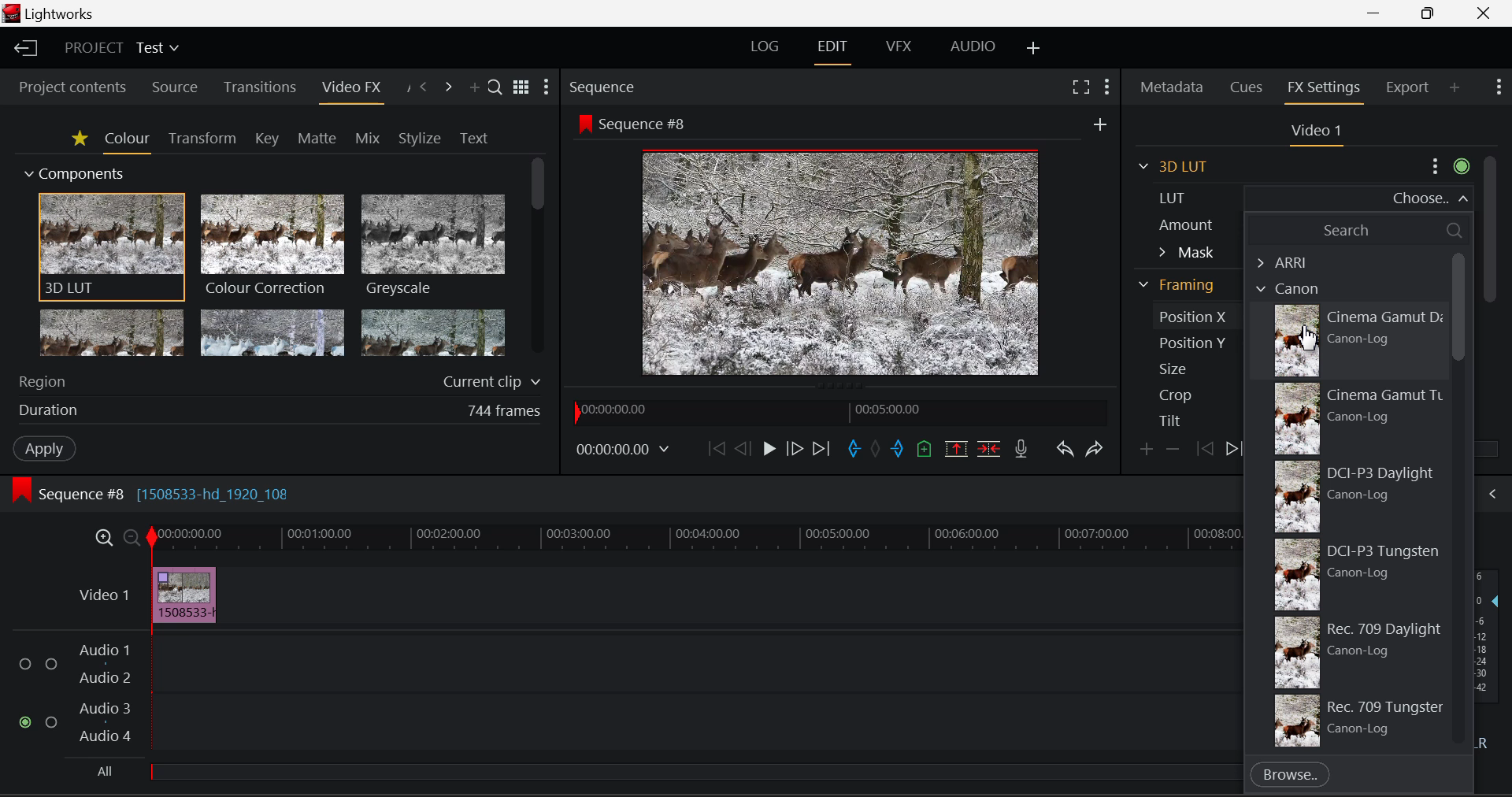 This screenshot has height=797, width=1512. Describe the element at coordinates (923, 448) in the screenshot. I see `Mark Cue` at that location.